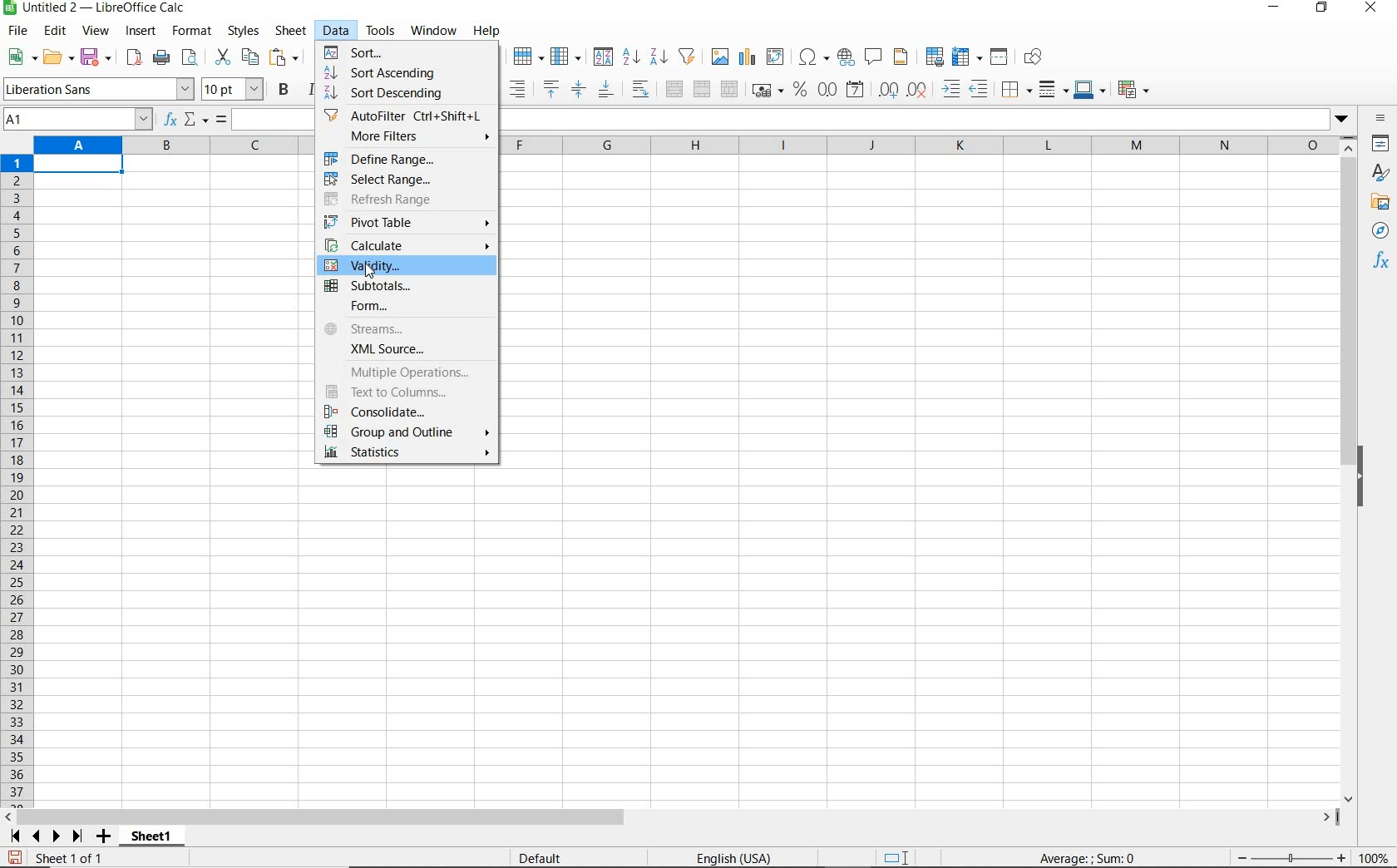 Image resolution: width=1397 pixels, height=868 pixels. I want to click on close, so click(1370, 8).